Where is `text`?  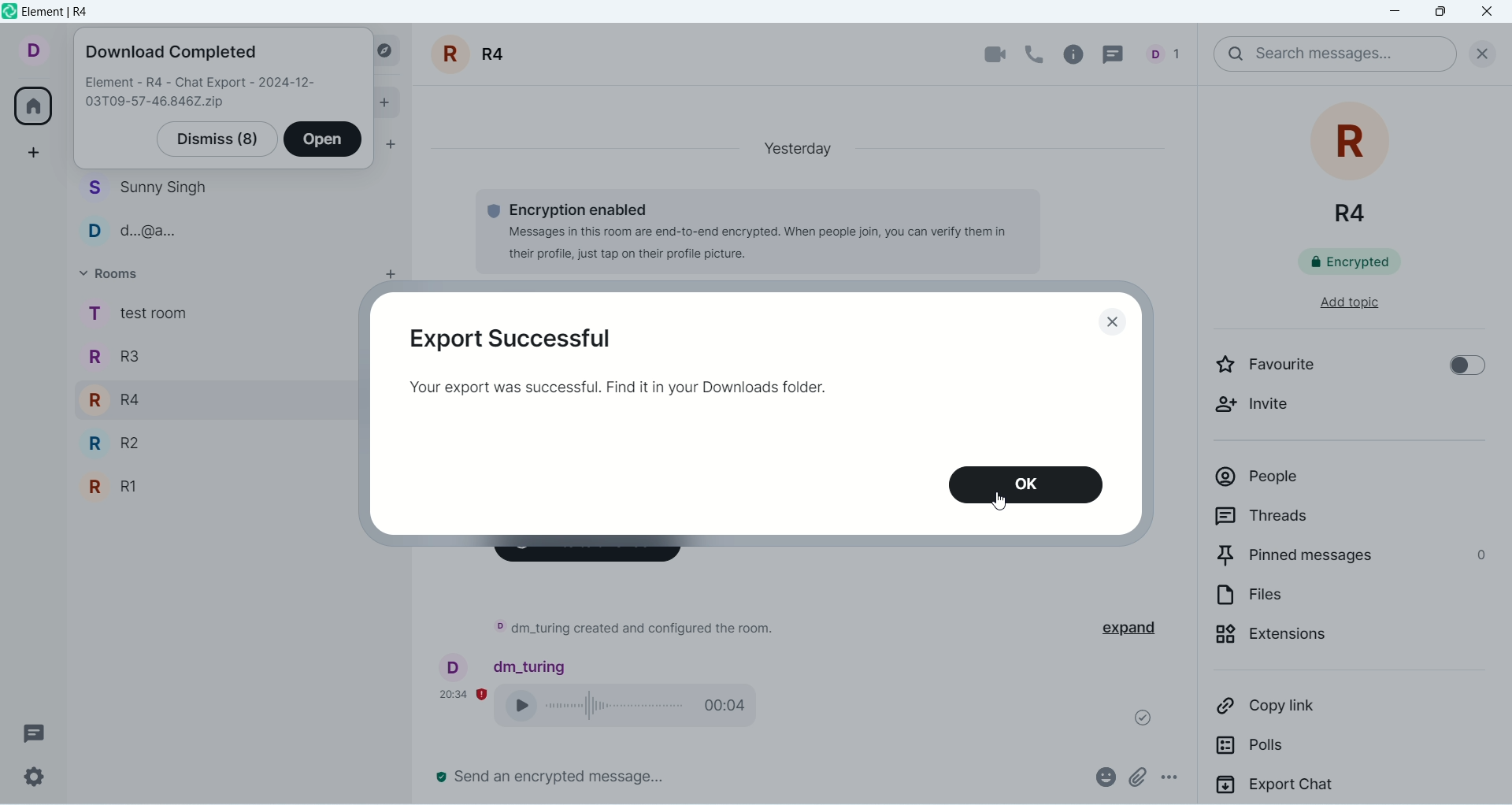
text is located at coordinates (635, 387).